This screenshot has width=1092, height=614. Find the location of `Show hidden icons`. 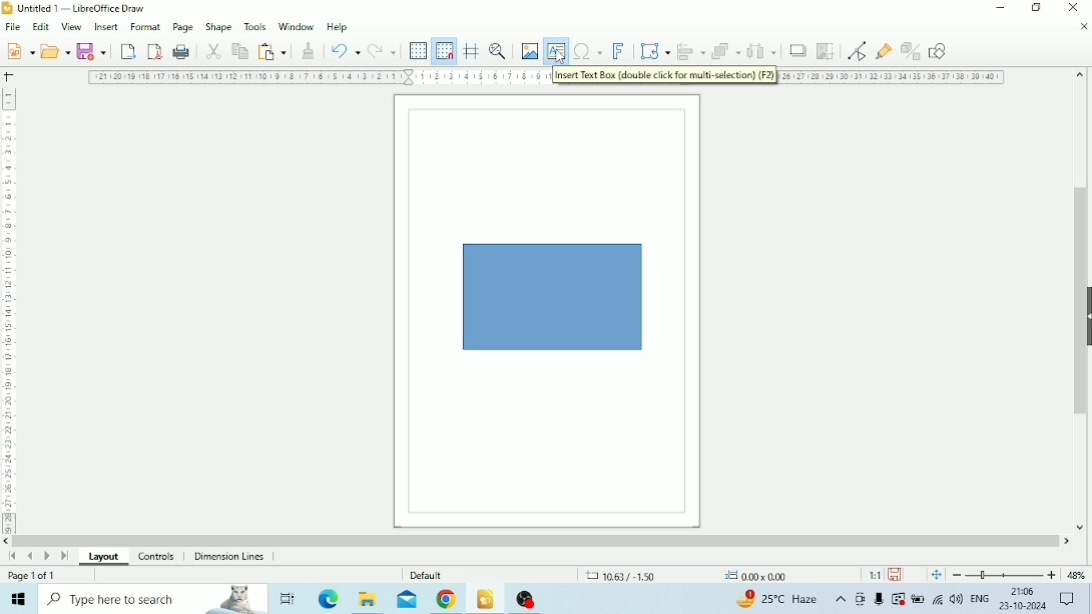

Show hidden icons is located at coordinates (841, 599).